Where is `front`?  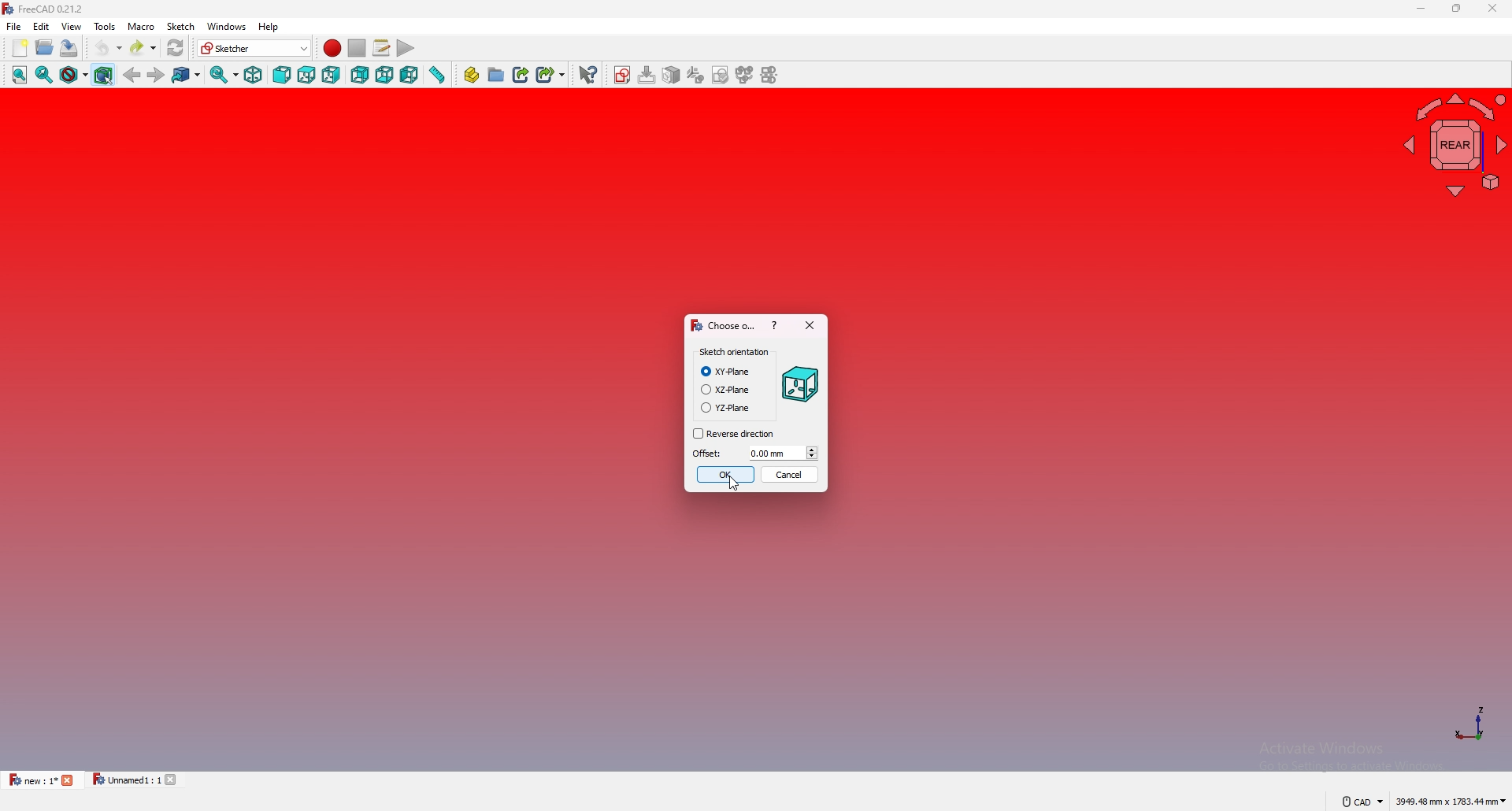 front is located at coordinates (280, 76).